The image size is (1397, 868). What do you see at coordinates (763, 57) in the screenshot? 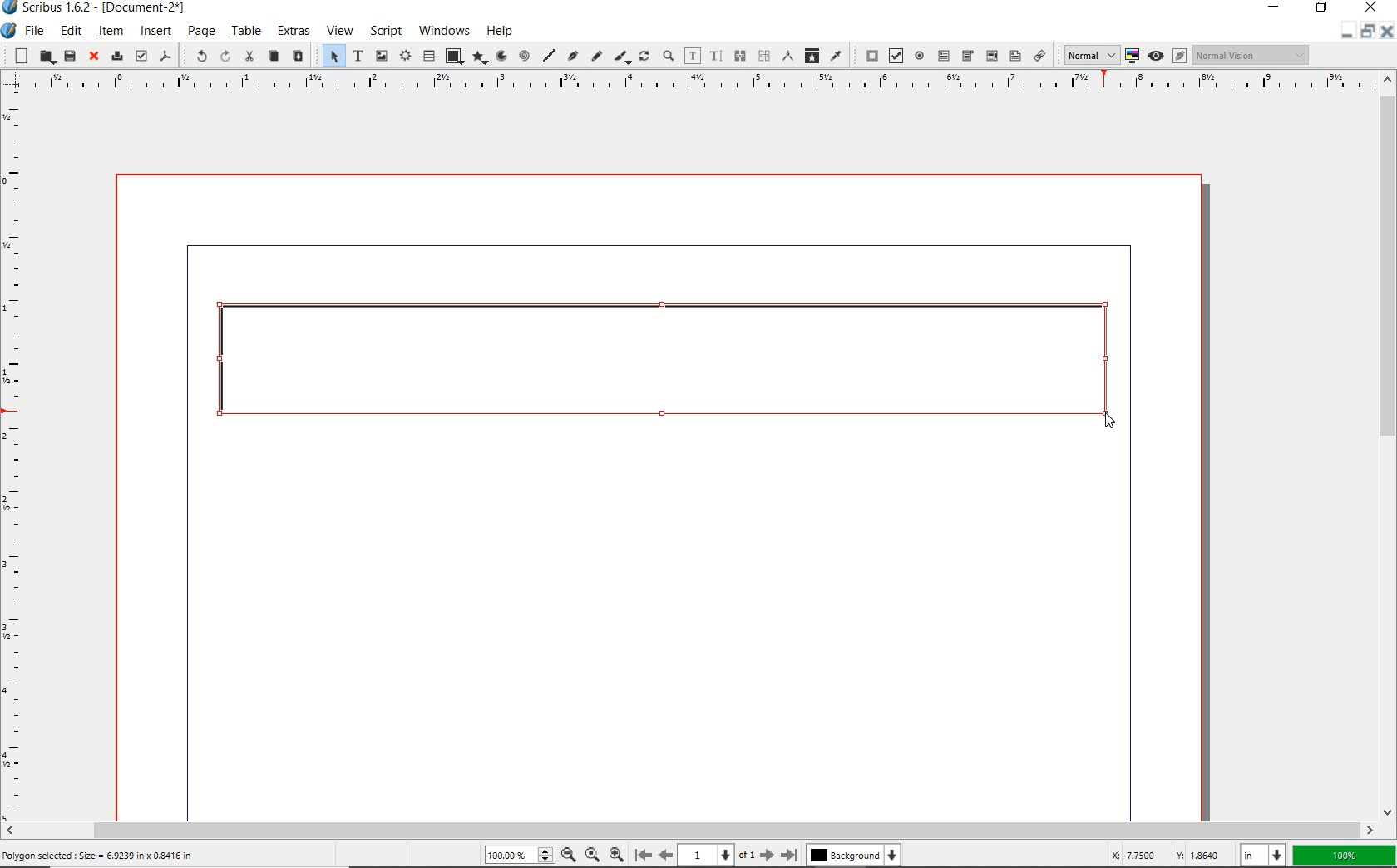
I see `measurements` at bounding box center [763, 57].